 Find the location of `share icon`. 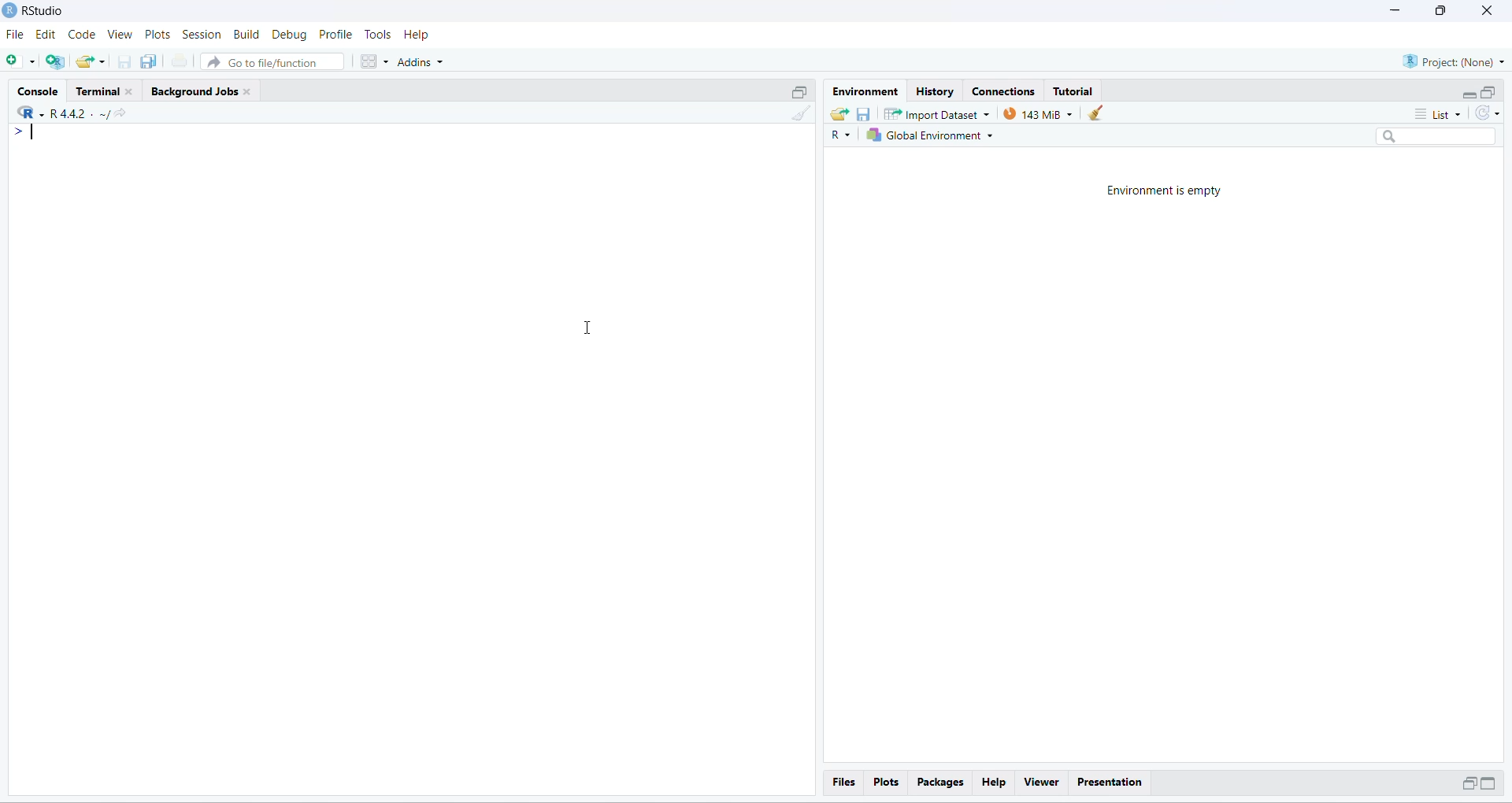

share icon is located at coordinates (120, 116).